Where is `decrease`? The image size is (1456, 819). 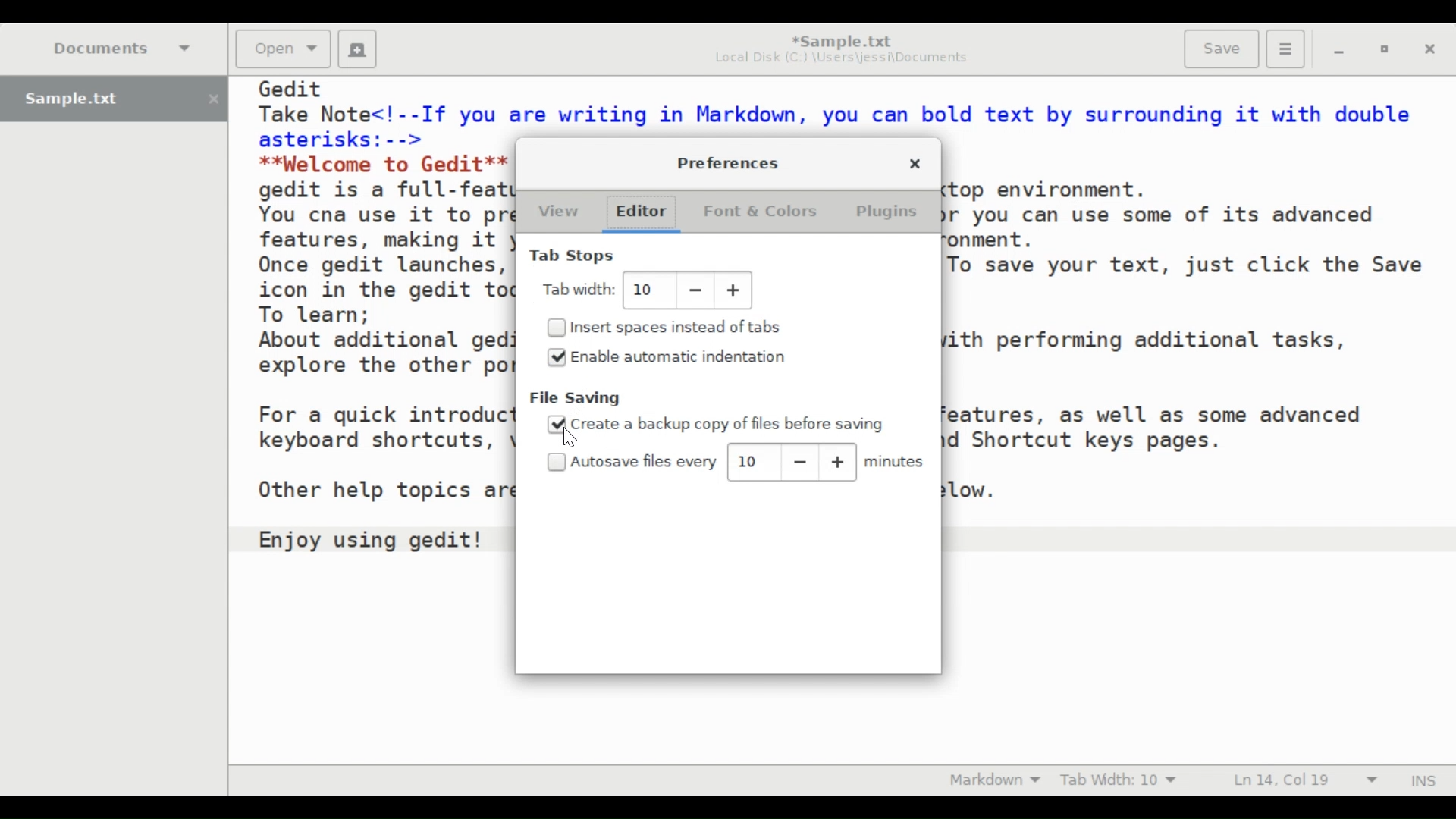 decrease is located at coordinates (799, 463).